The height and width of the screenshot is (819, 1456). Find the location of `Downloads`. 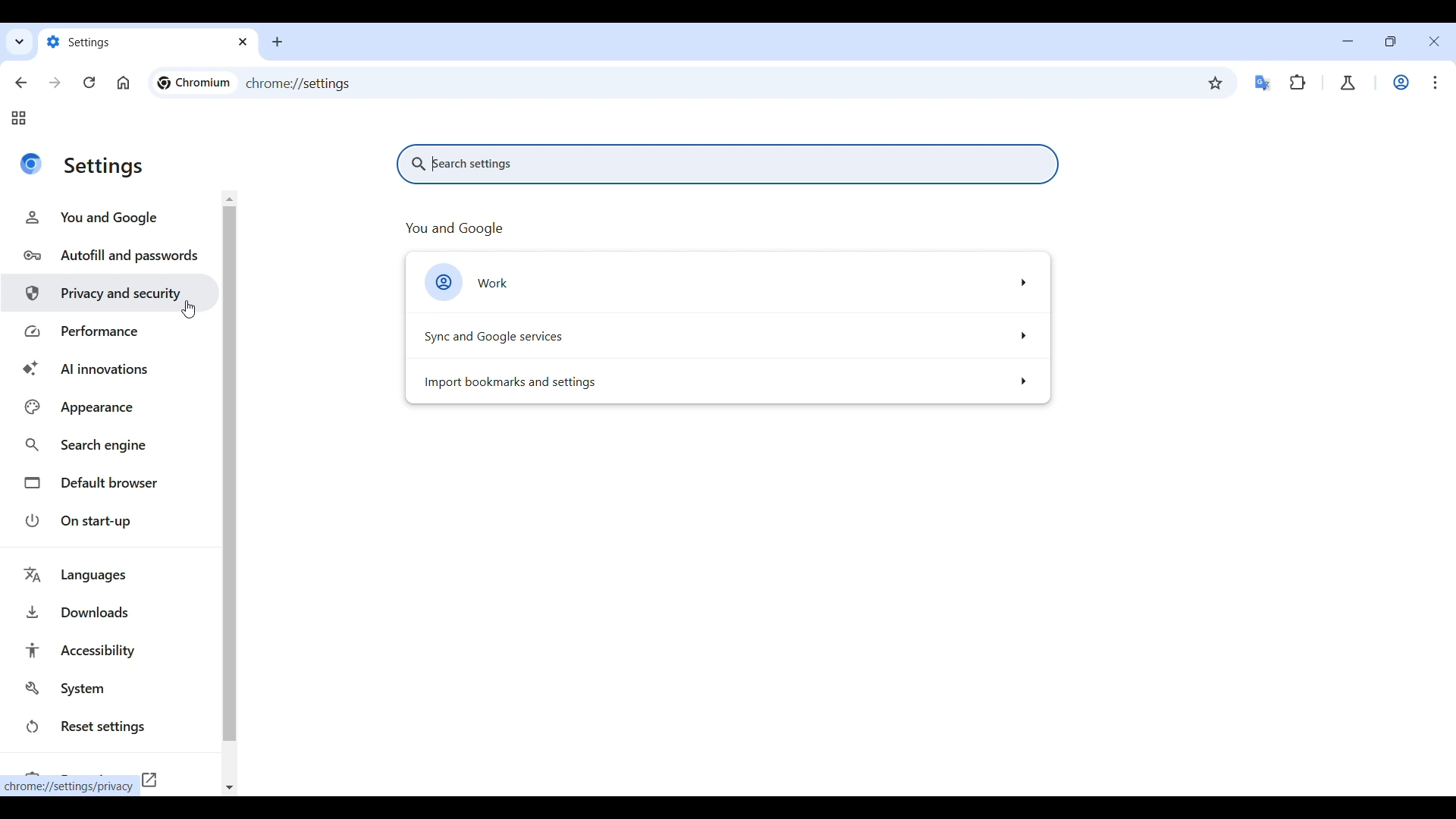

Downloads is located at coordinates (112, 613).